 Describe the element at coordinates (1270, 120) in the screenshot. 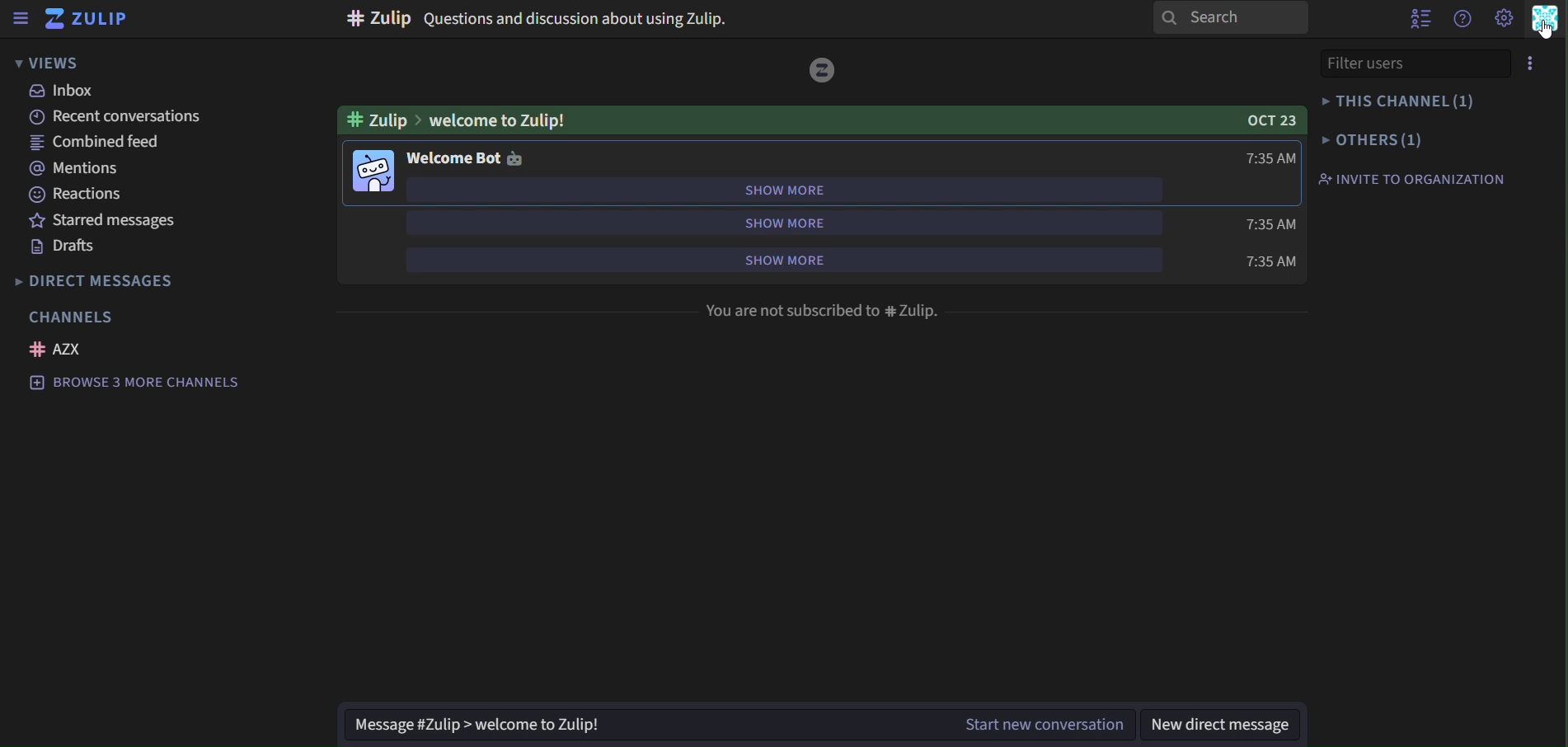

I see `OCT 23` at that location.